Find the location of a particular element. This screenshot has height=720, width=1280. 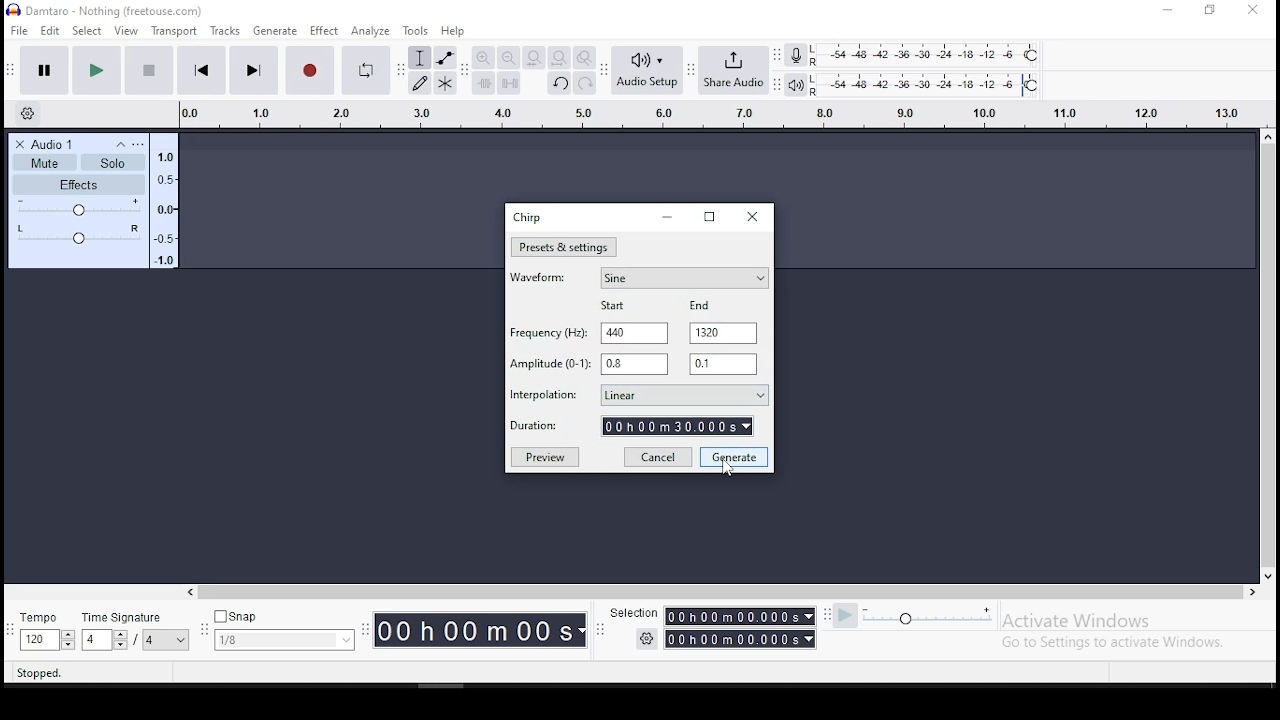

help is located at coordinates (453, 31).